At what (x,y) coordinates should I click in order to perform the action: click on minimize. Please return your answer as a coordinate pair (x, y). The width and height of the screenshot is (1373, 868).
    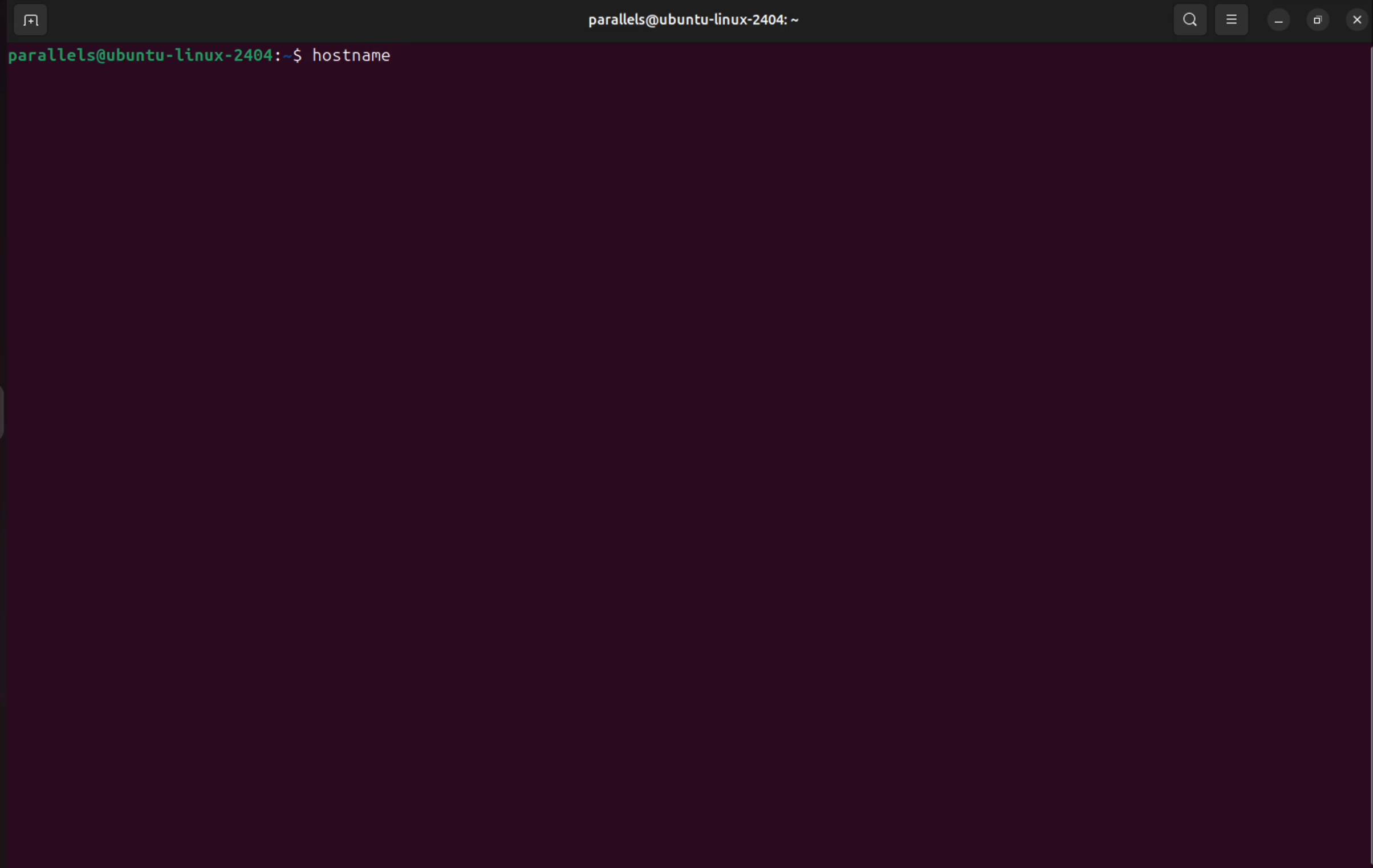
    Looking at the image, I should click on (1278, 21).